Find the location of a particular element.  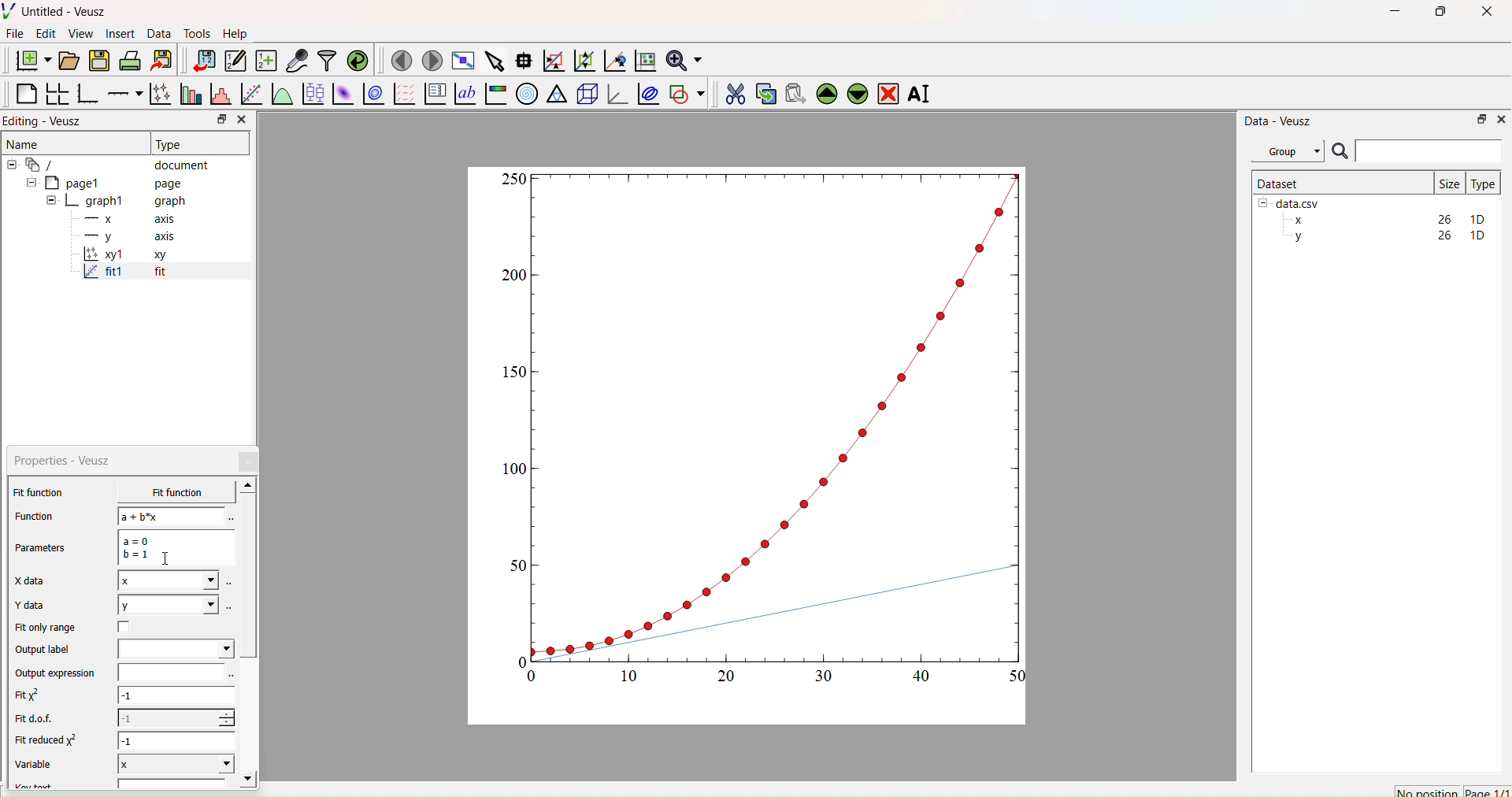

Base Graph is located at coordinates (85, 95).